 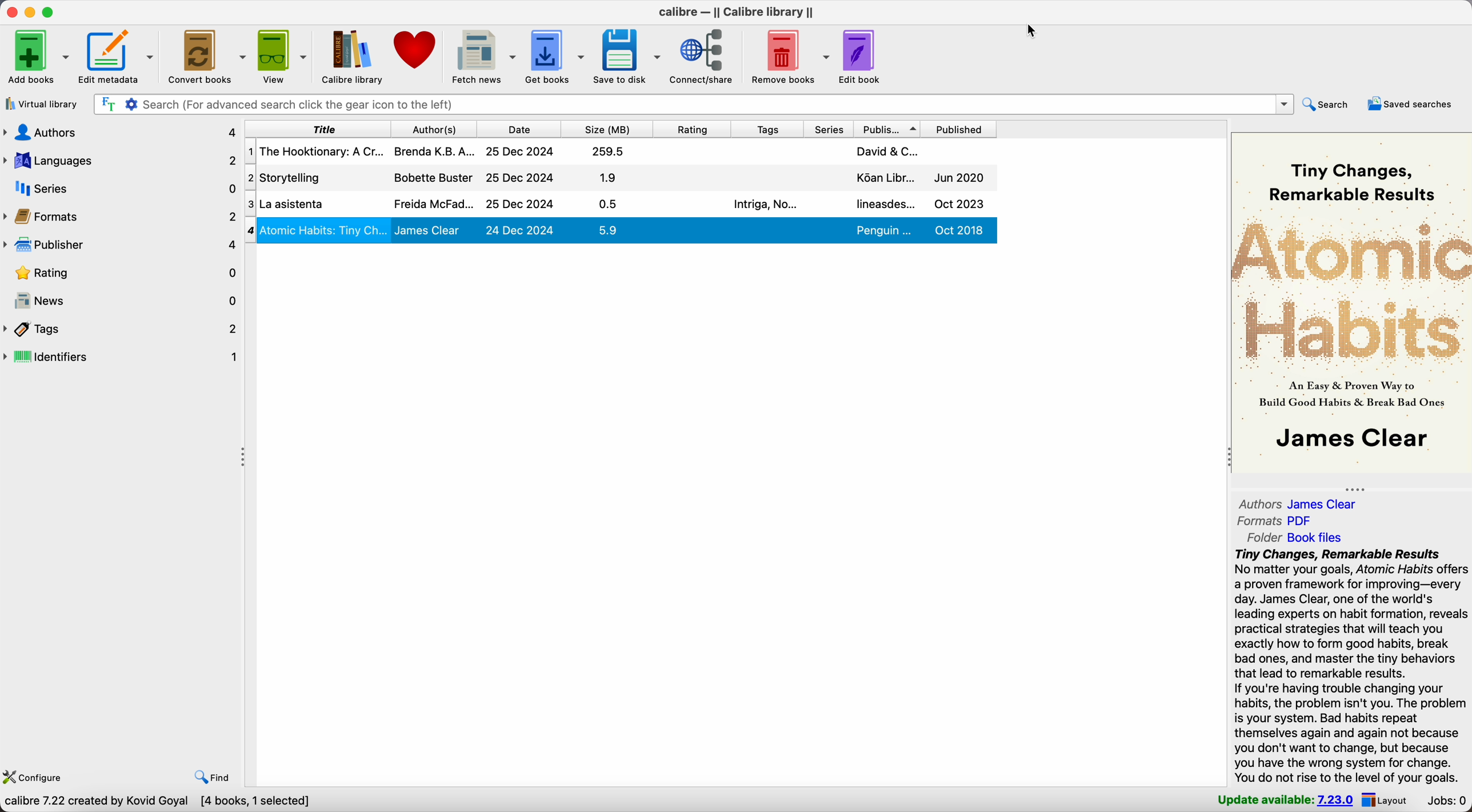 What do you see at coordinates (787, 55) in the screenshot?
I see `remove books` at bounding box center [787, 55].